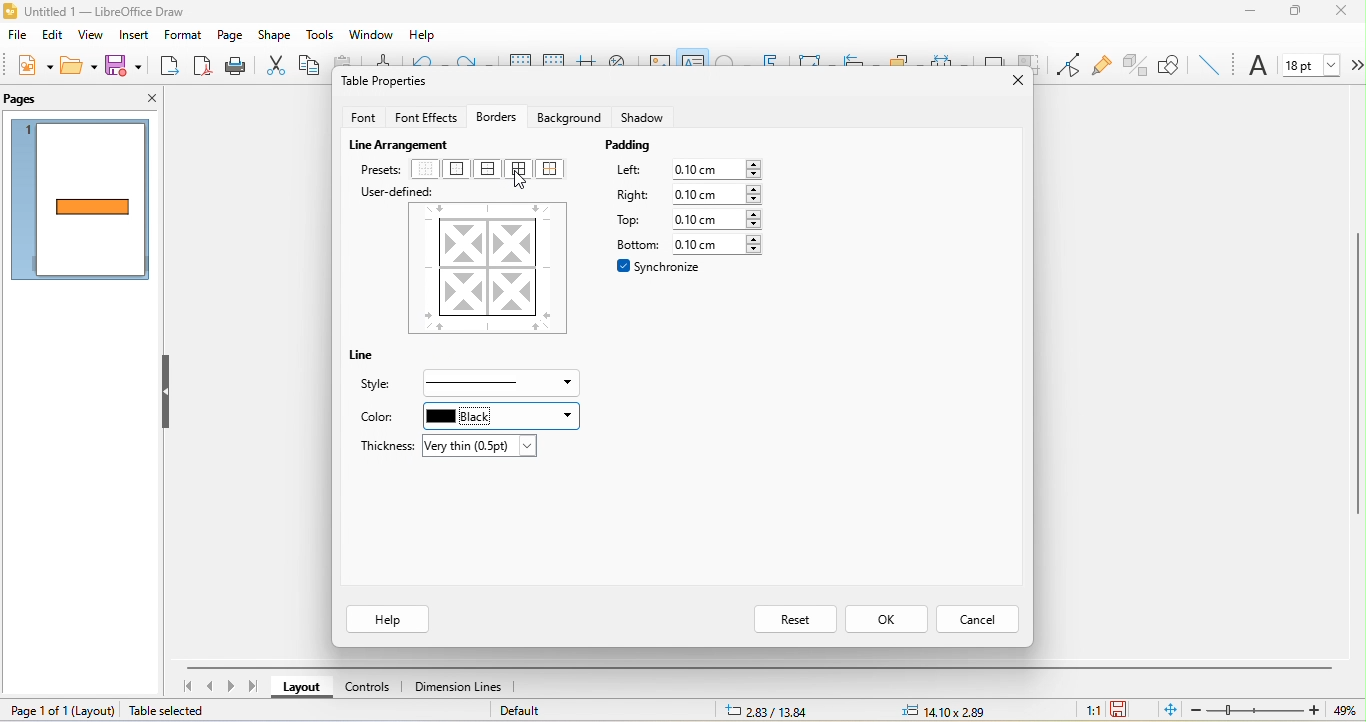  I want to click on toggle extrusion, so click(1133, 64).